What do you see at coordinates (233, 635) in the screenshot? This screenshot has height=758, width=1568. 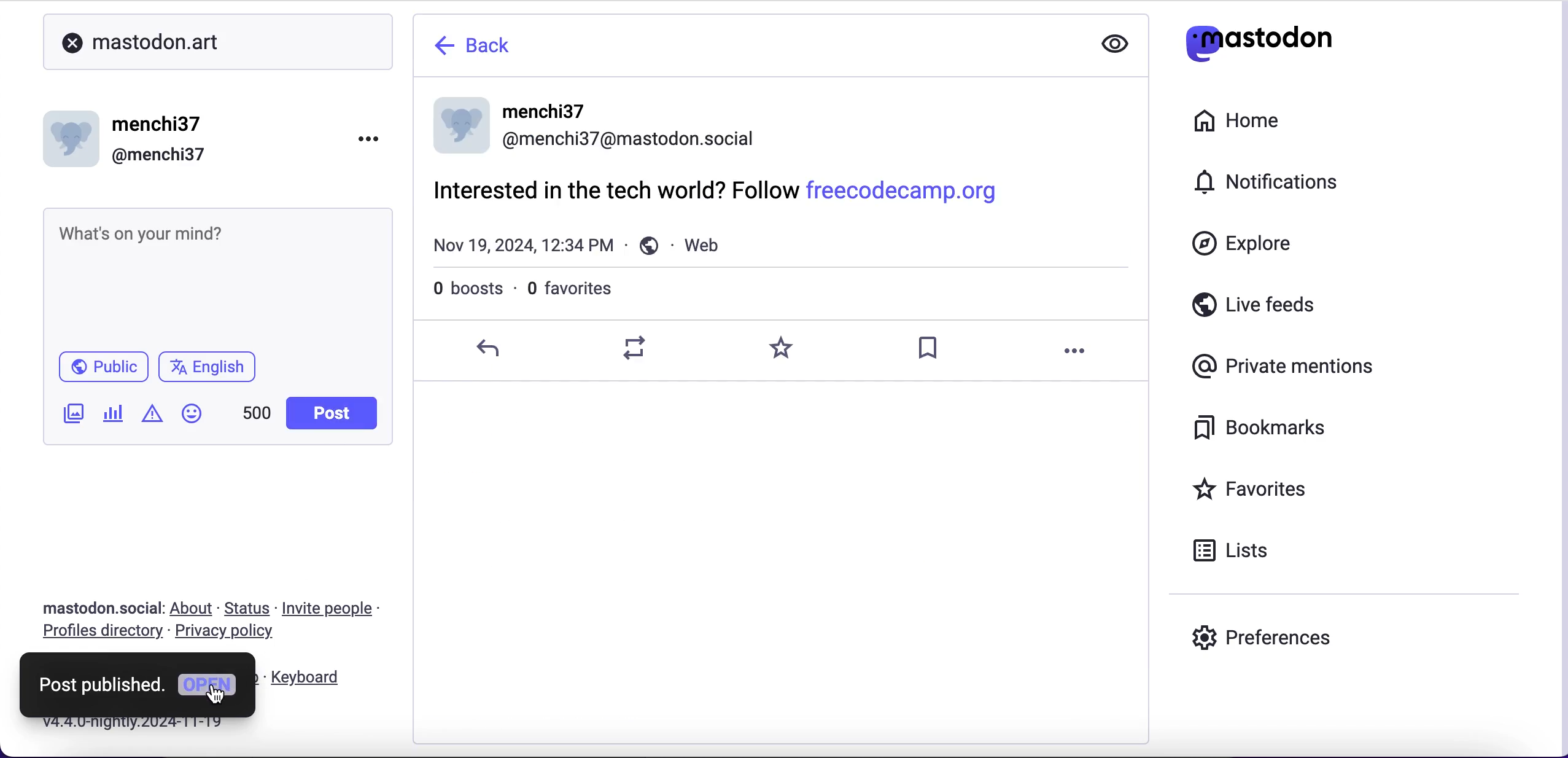 I see `privacy policy` at bounding box center [233, 635].